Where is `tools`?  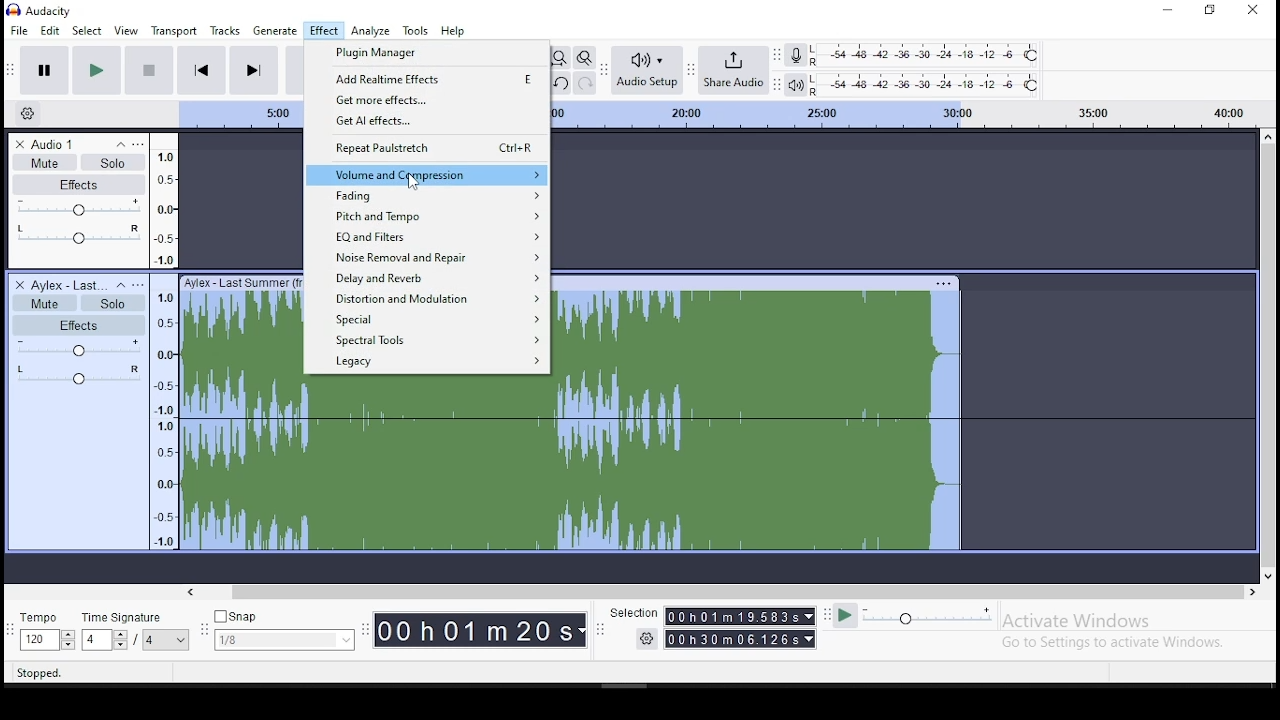
tools is located at coordinates (416, 31).